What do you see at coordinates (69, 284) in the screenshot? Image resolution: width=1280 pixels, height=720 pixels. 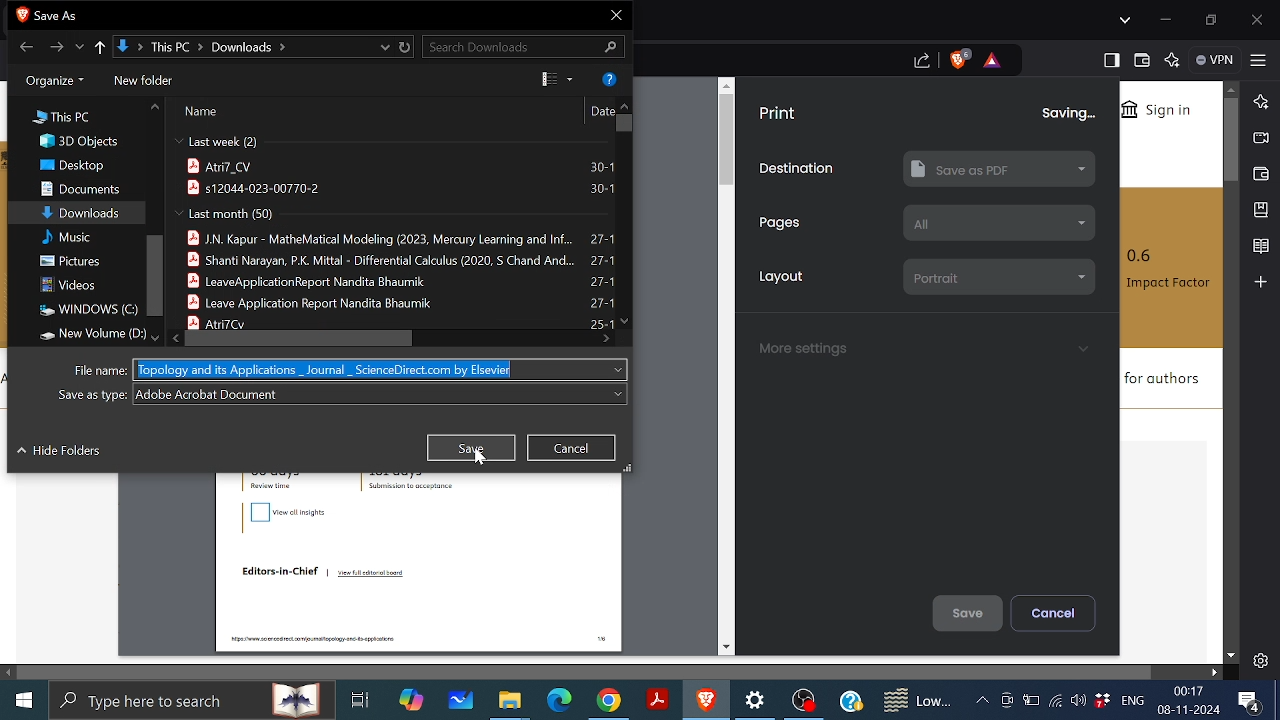 I see `Videos` at bounding box center [69, 284].